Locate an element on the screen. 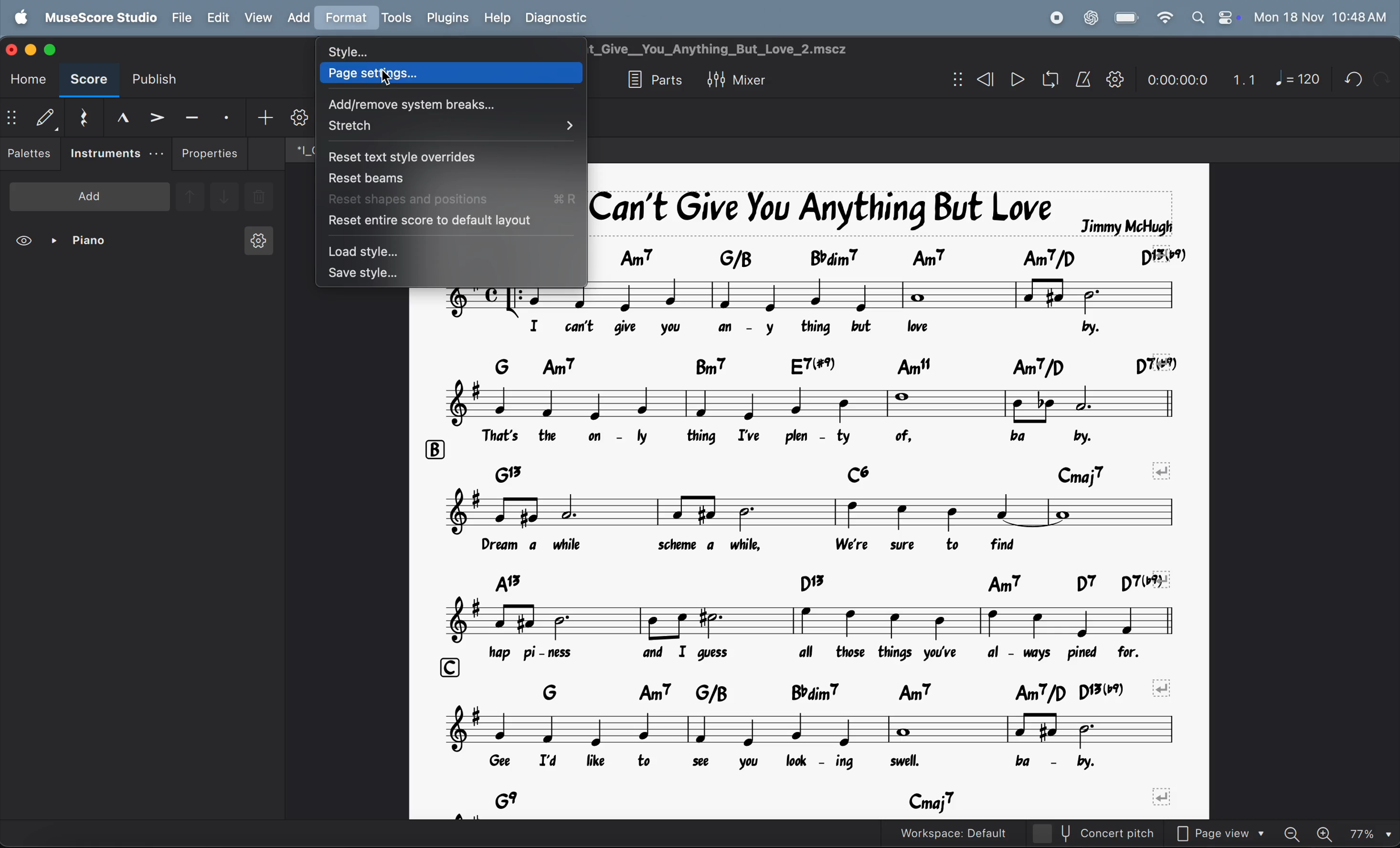 Image resolution: width=1400 pixels, height=848 pixels. workspace default is located at coordinates (977, 833).